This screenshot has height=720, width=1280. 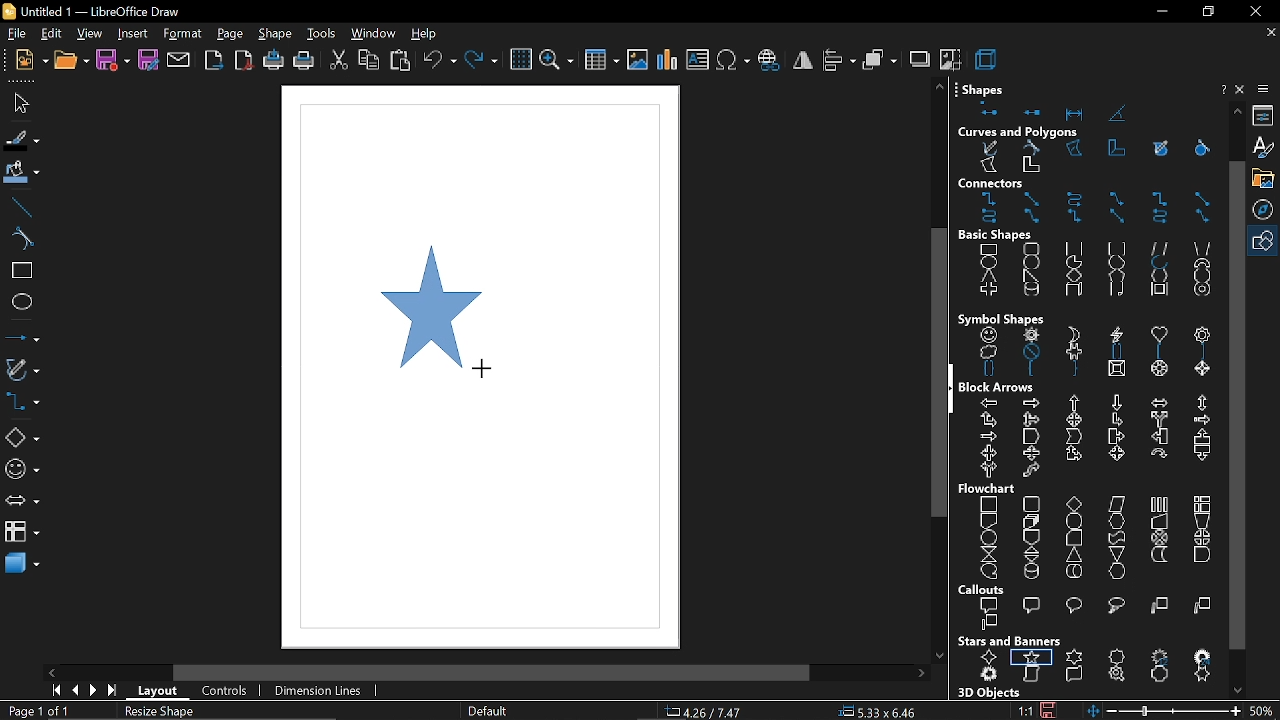 I want to click on move up, so click(x=1237, y=111).